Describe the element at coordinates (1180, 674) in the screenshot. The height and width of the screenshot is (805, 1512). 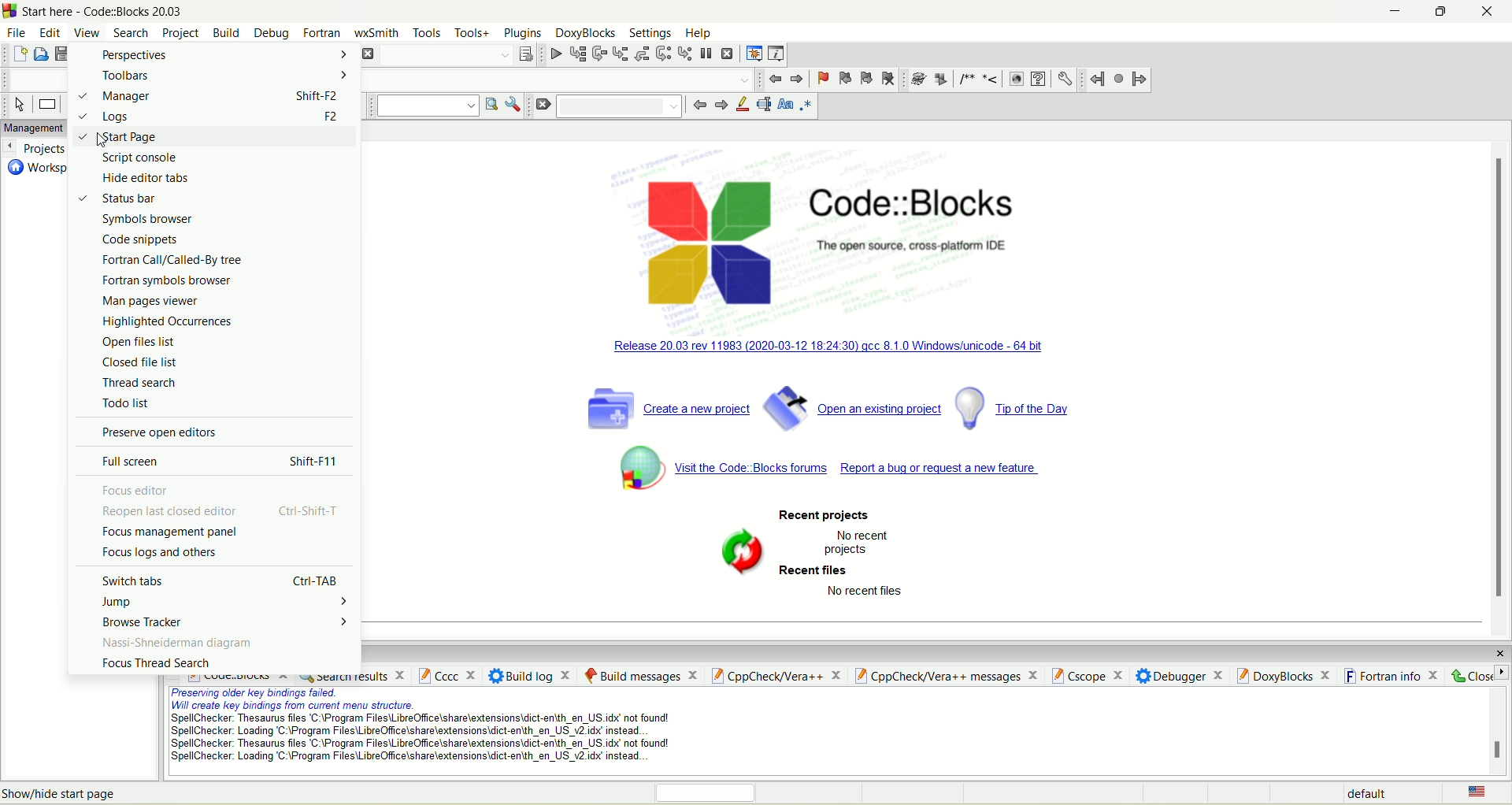
I see `debugger` at that location.